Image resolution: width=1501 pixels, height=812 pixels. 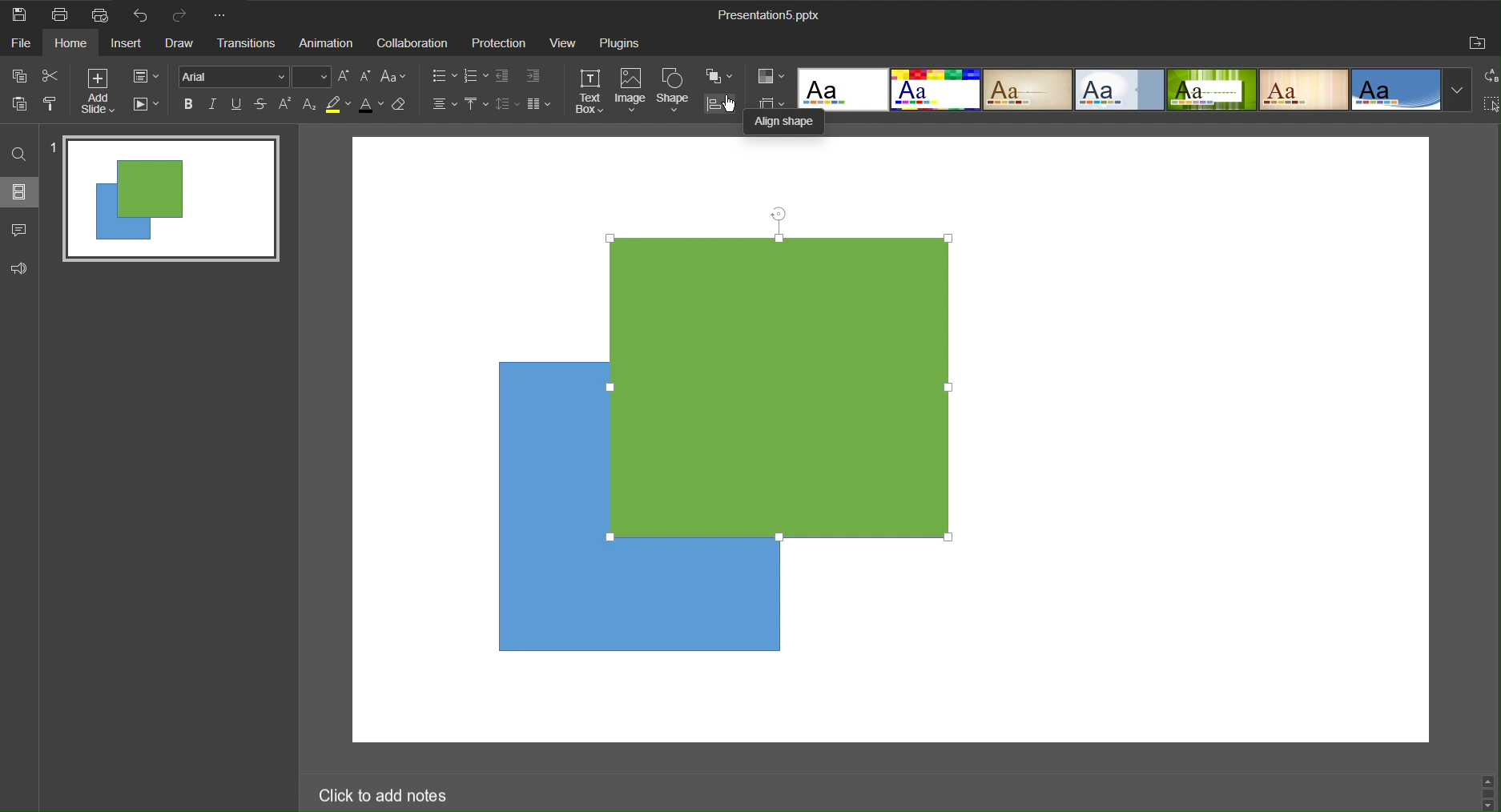 I want to click on Alignment, so click(x=443, y=105).